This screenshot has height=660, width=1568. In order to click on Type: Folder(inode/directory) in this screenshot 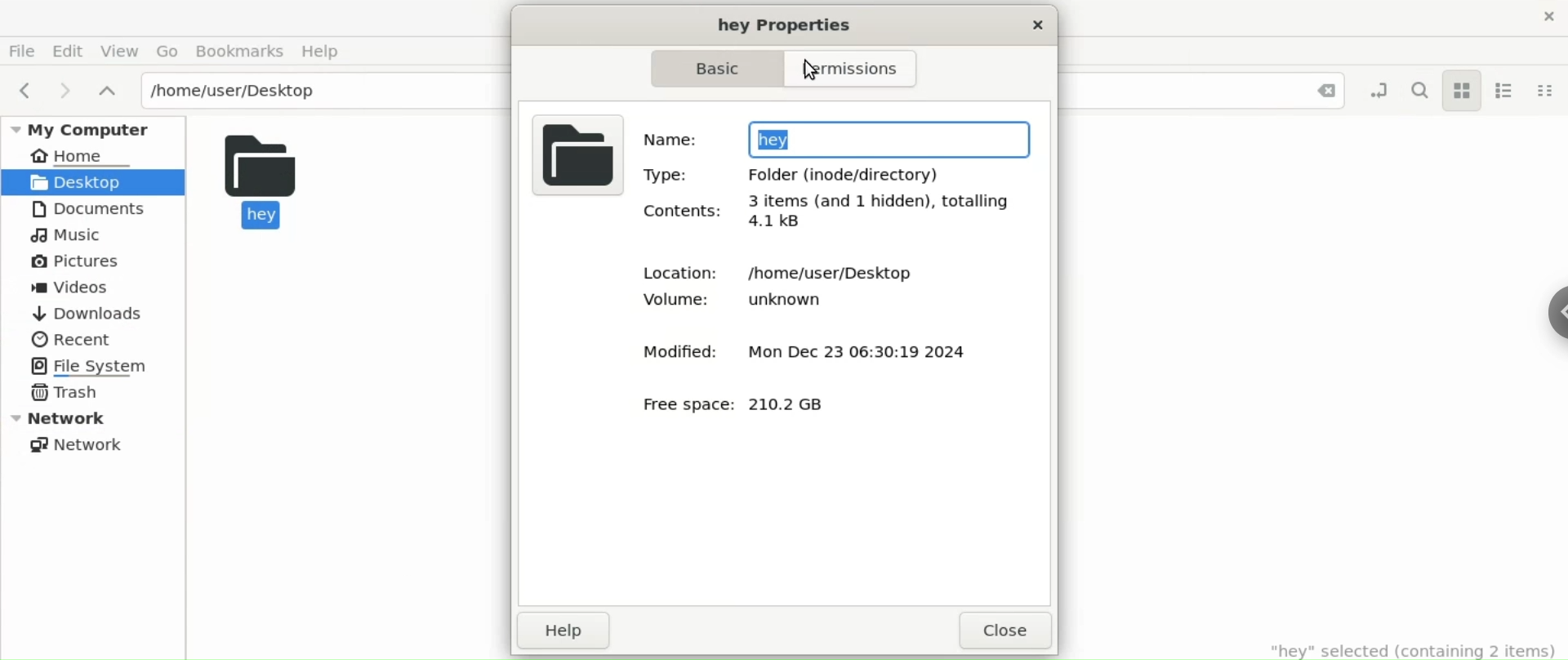, I will do `click(804, 174)`.